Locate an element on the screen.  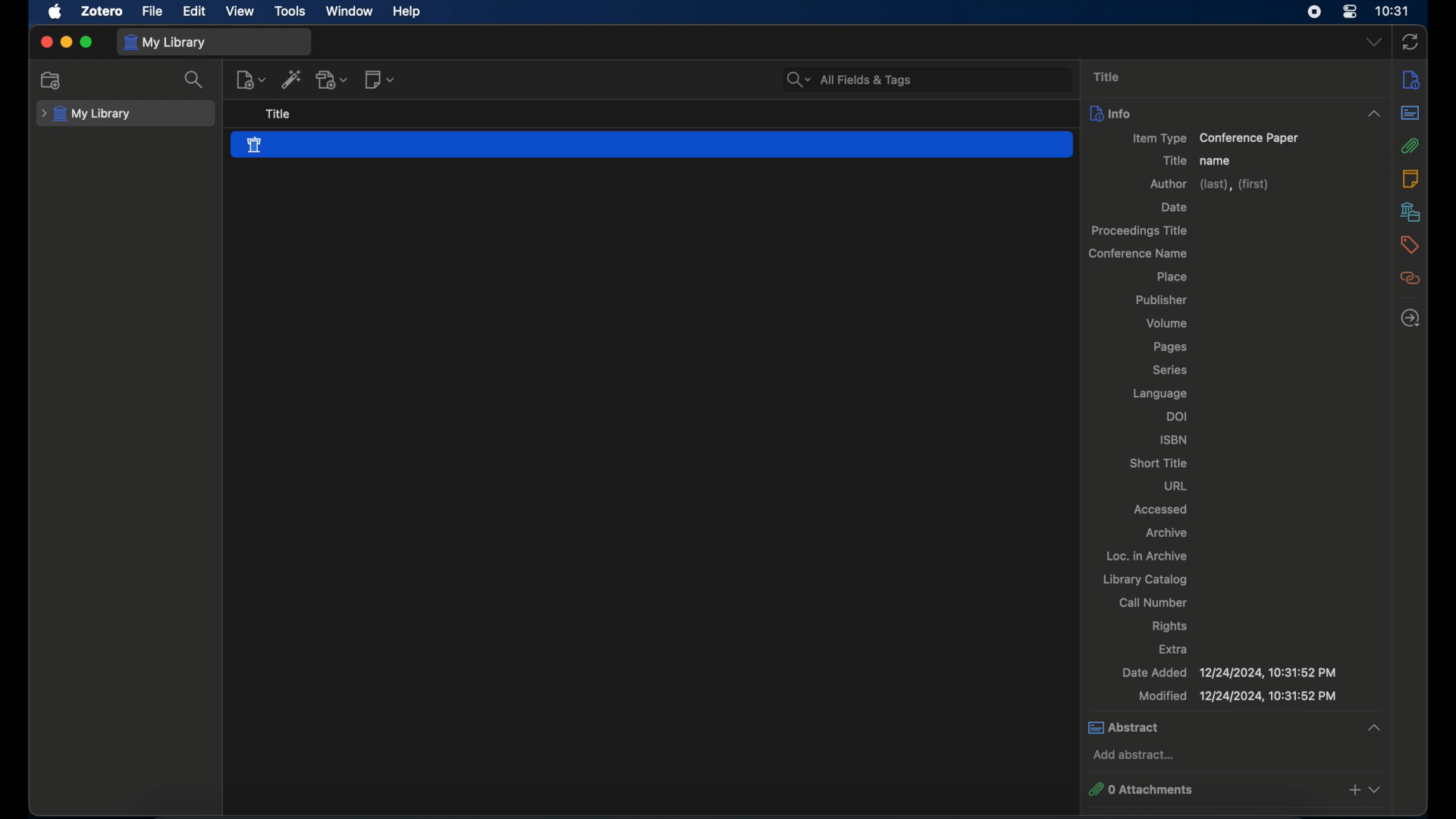
extra is located at coordinates (1173, 649).